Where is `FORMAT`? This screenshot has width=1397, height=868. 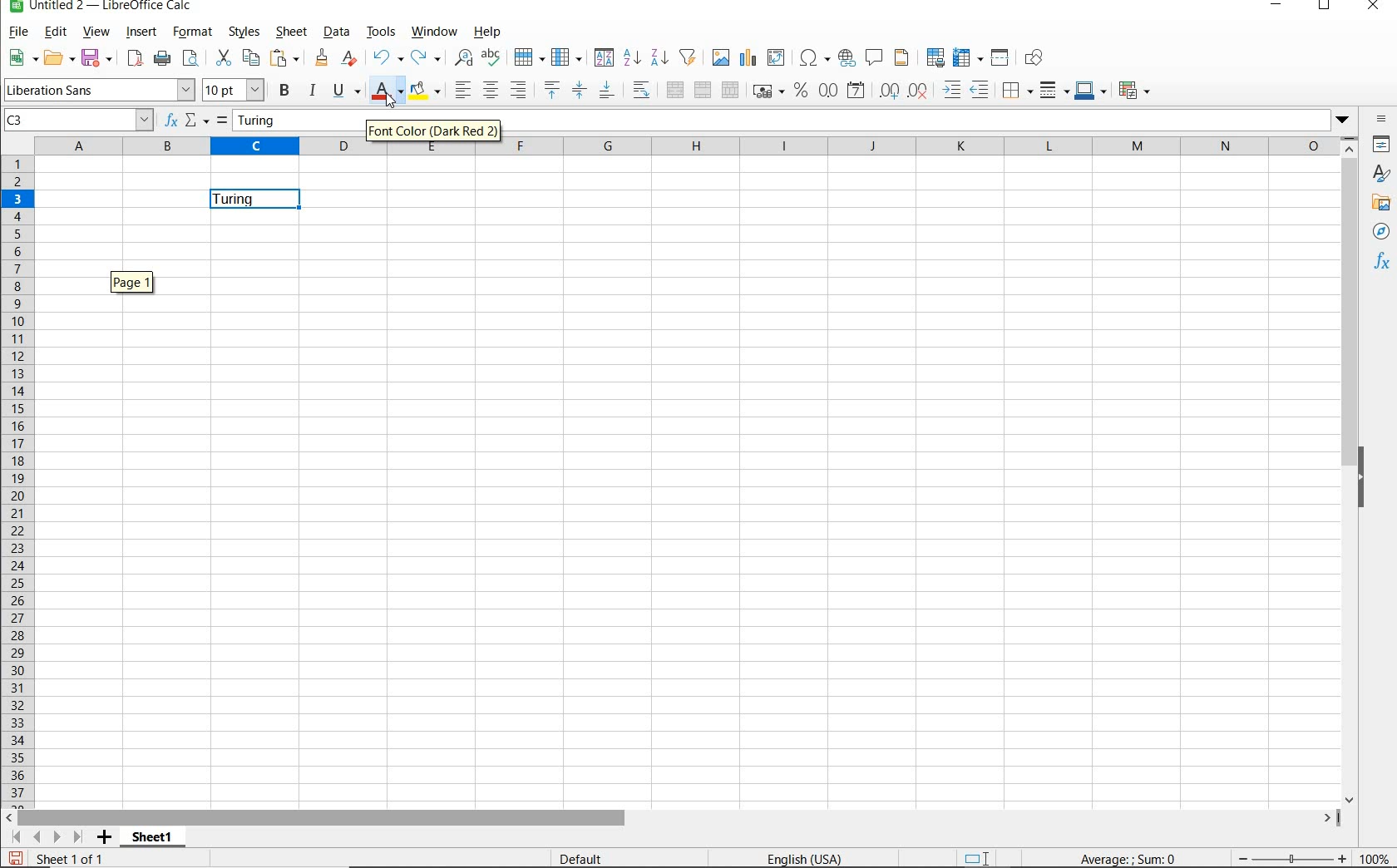 FORMAT is located at coordinates (193, 32).